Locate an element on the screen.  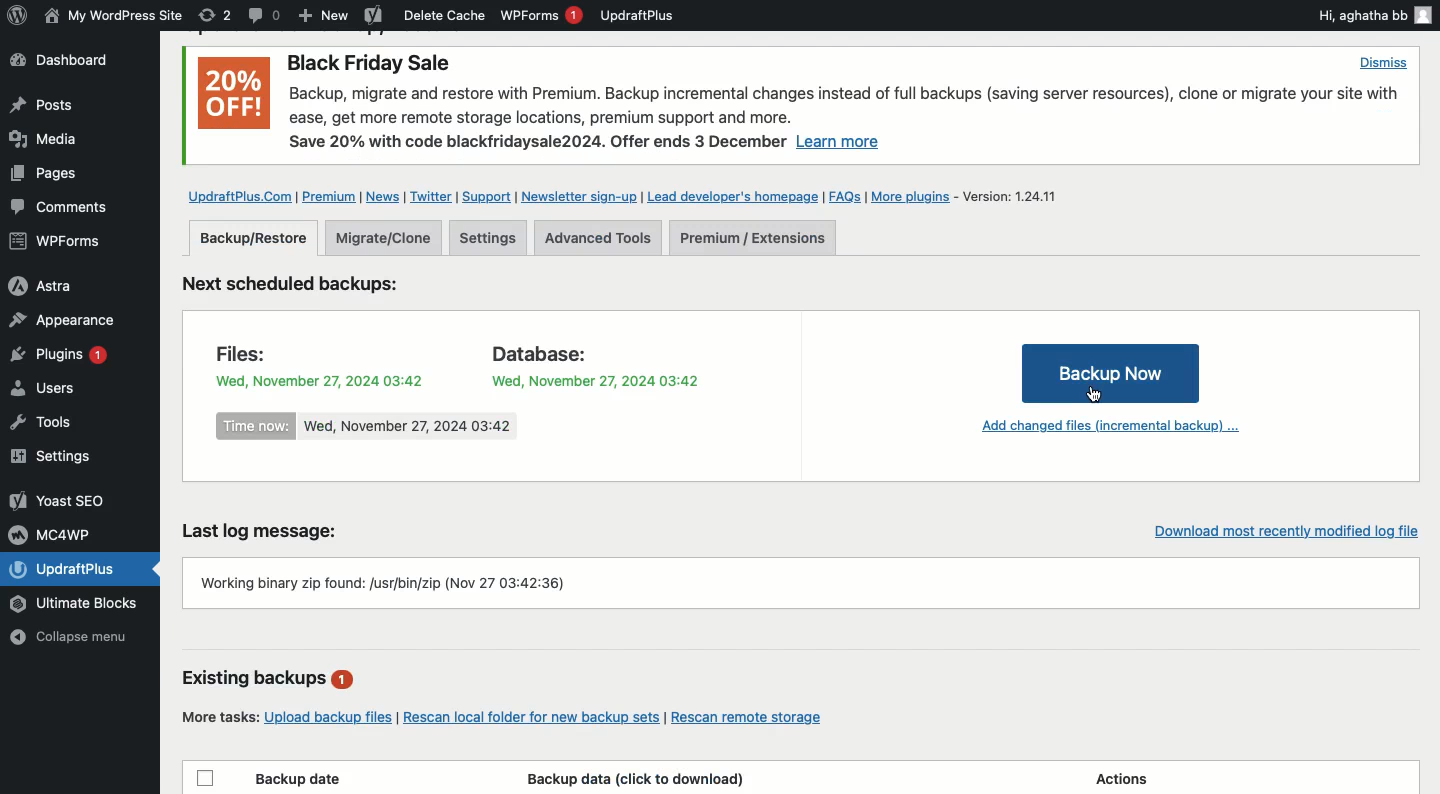
Lead developer's homepage is located at coordinates (735, 199).